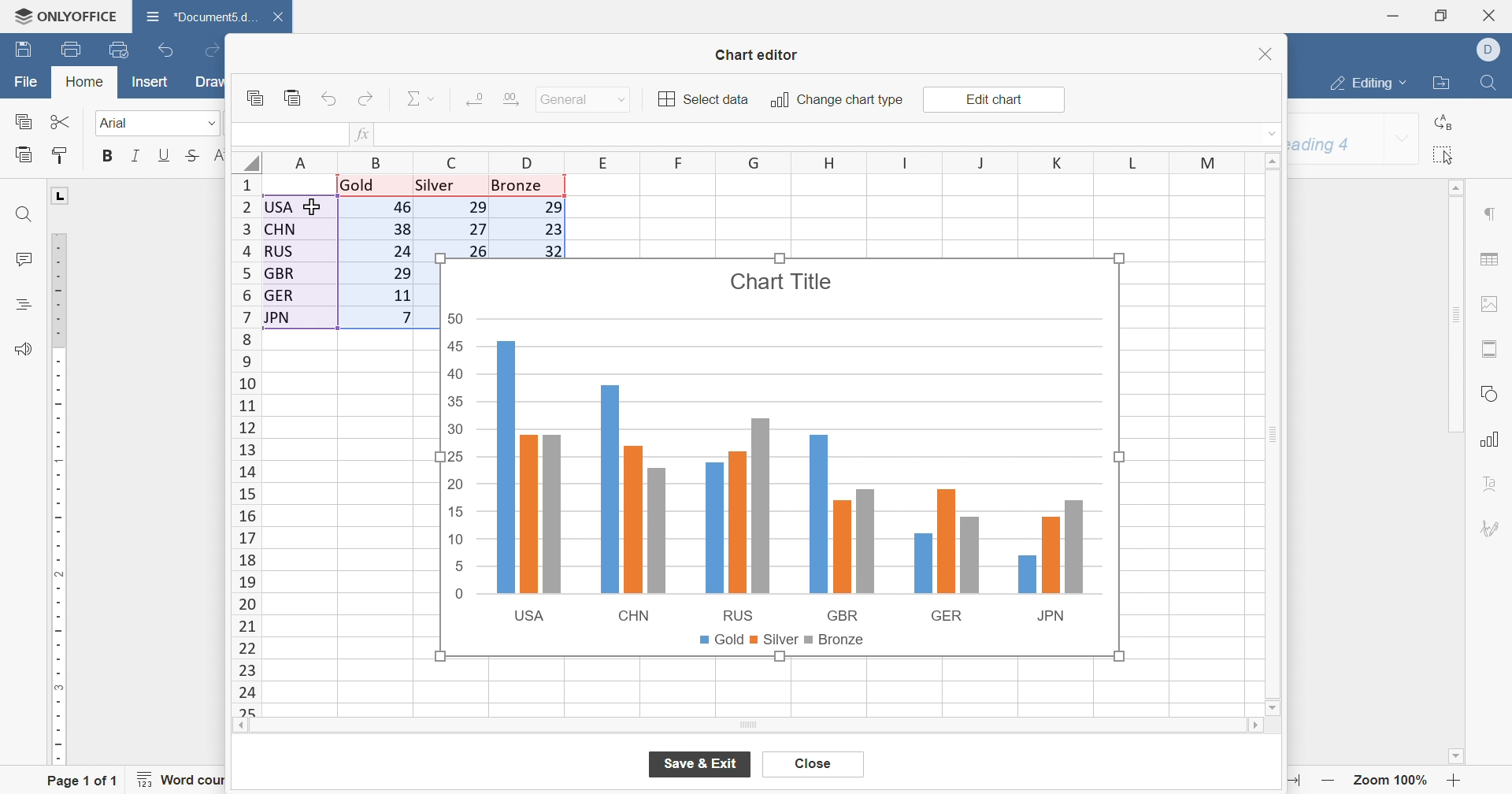 This screenshot has width=1512, height=794. What do you see at coordinates (813, 765) in the screenshot?
I see `cancel` at bounding box center [813, 765].